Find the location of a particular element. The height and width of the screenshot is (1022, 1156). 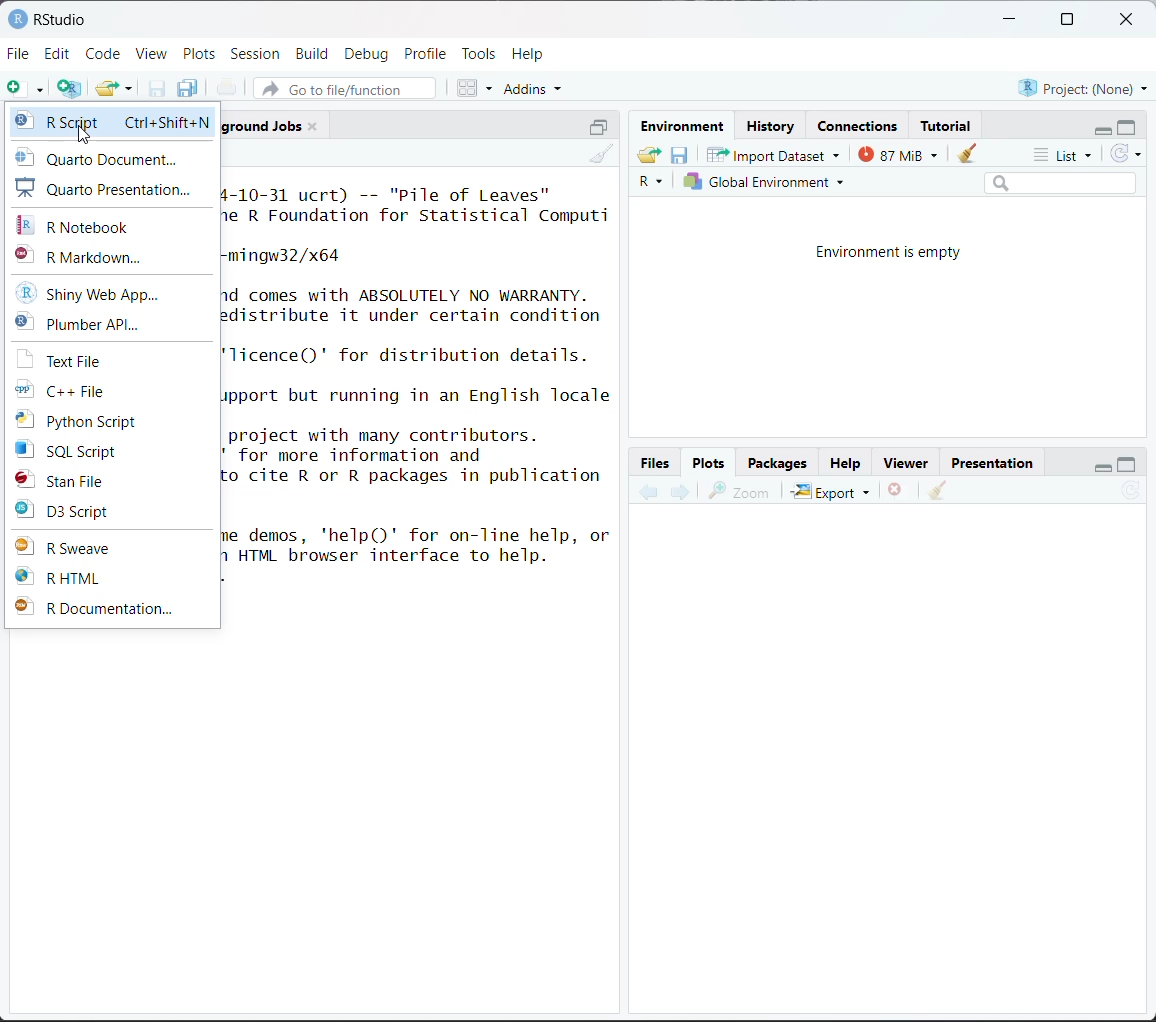

Project:(None) is located at coordinates (1082, 86).